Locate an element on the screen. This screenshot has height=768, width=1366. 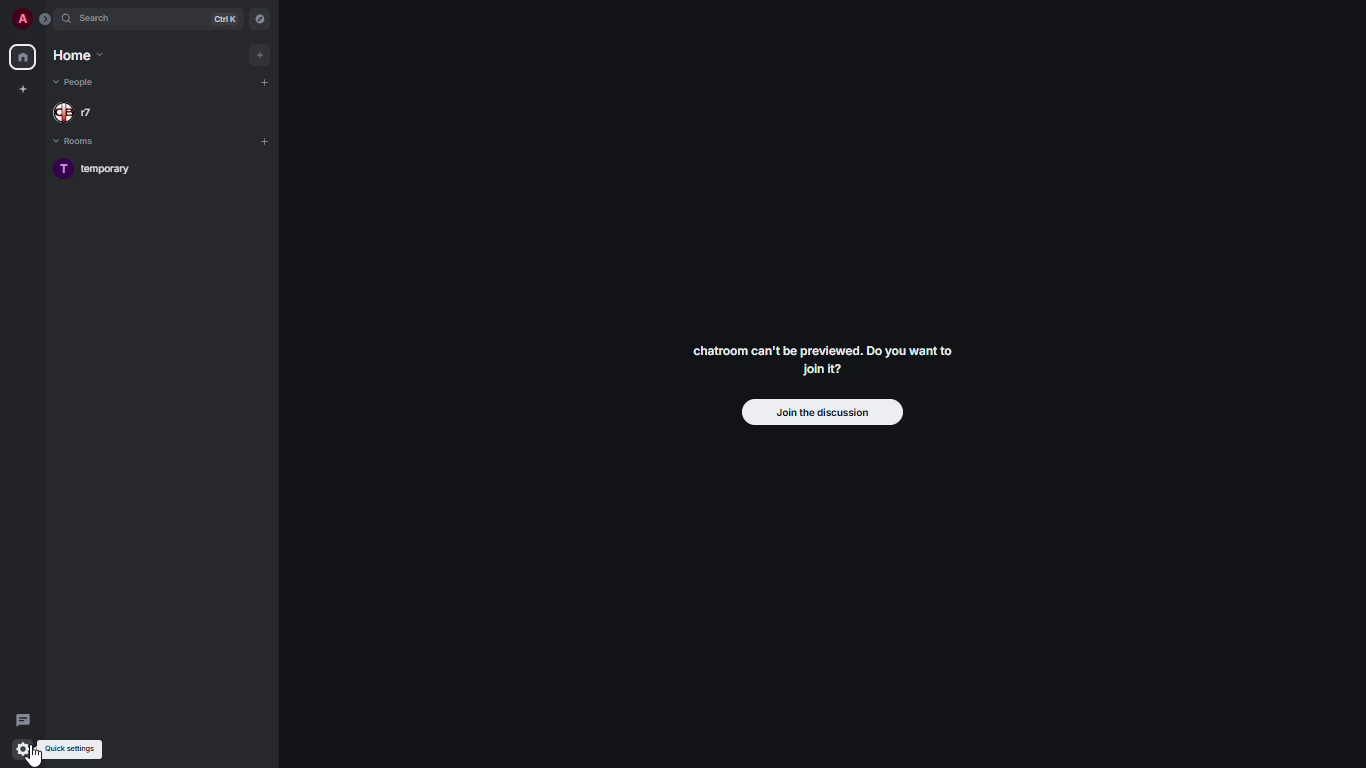
expand is located at coordinates (45, 20).